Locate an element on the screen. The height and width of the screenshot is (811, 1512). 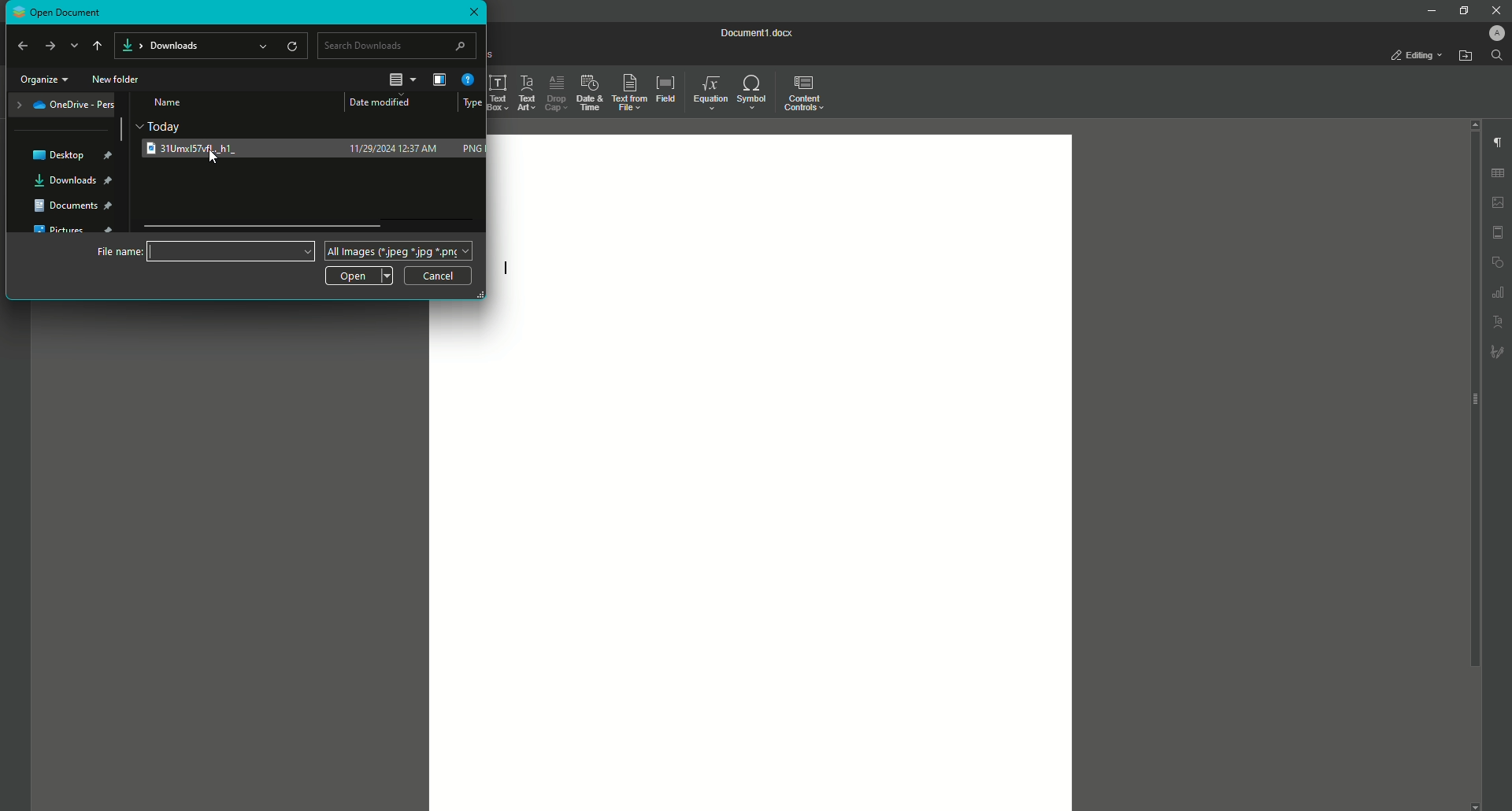
Equation is located at coordinates (708, 94).